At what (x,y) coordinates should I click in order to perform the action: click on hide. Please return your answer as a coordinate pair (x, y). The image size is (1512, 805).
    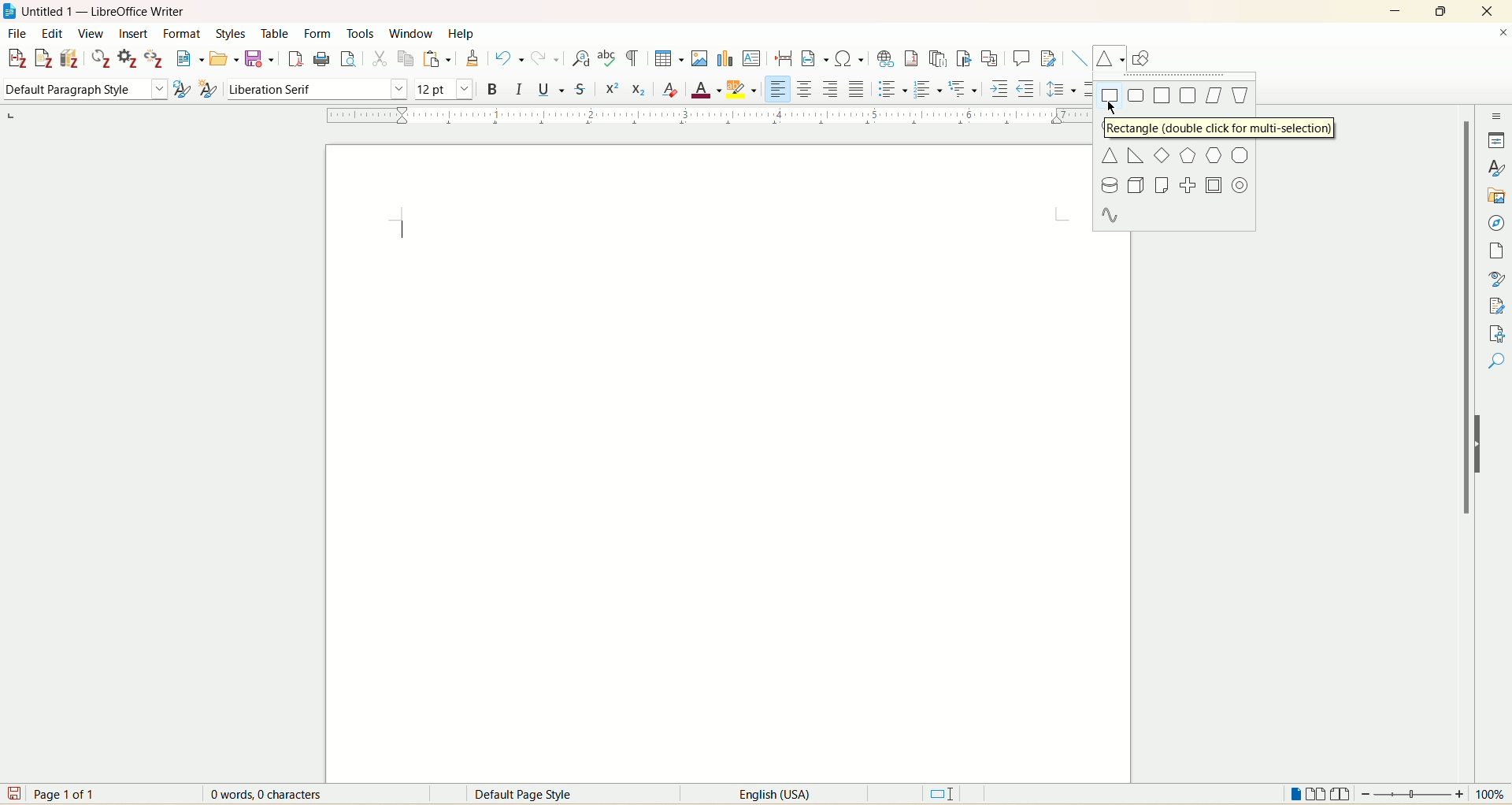
    Looking at the image, I should click on (1484, 443).